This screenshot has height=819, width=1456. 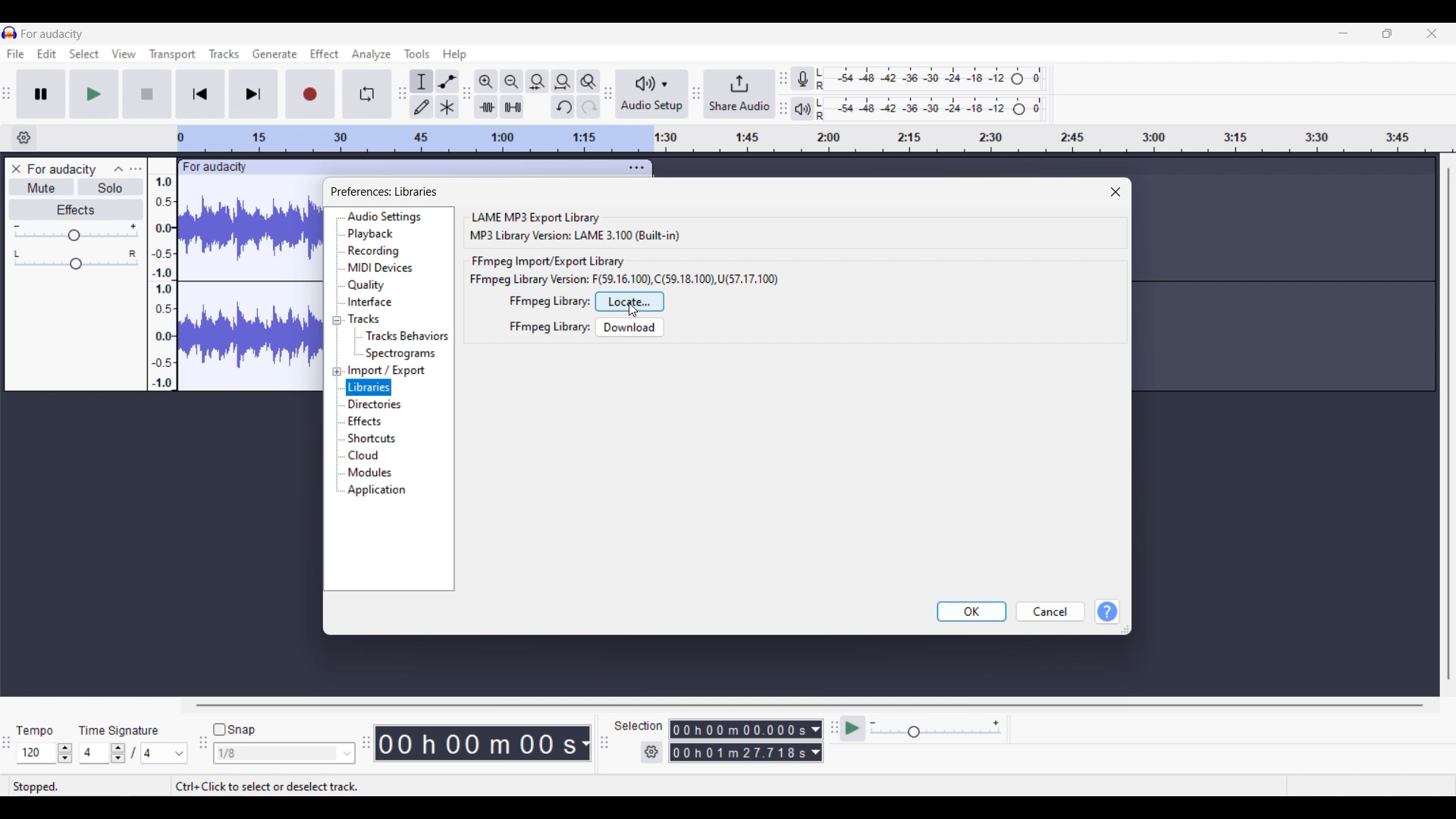 What do you see at coordinates (422, 107) in the screenshot?
I see `Draw tool` at bounding box center [422, 107].